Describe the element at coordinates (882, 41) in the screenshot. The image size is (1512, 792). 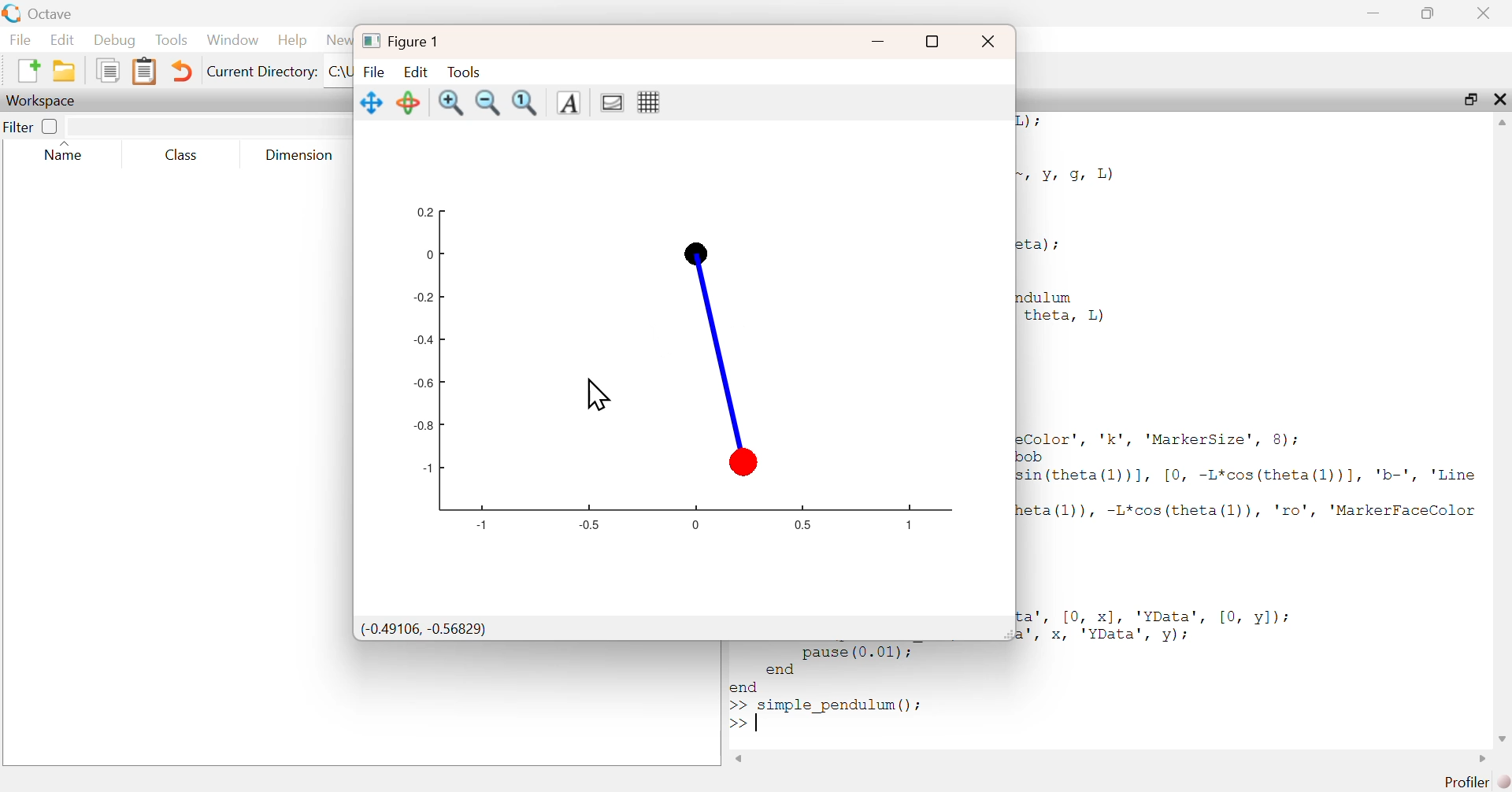
I see `Minimize` at that location.